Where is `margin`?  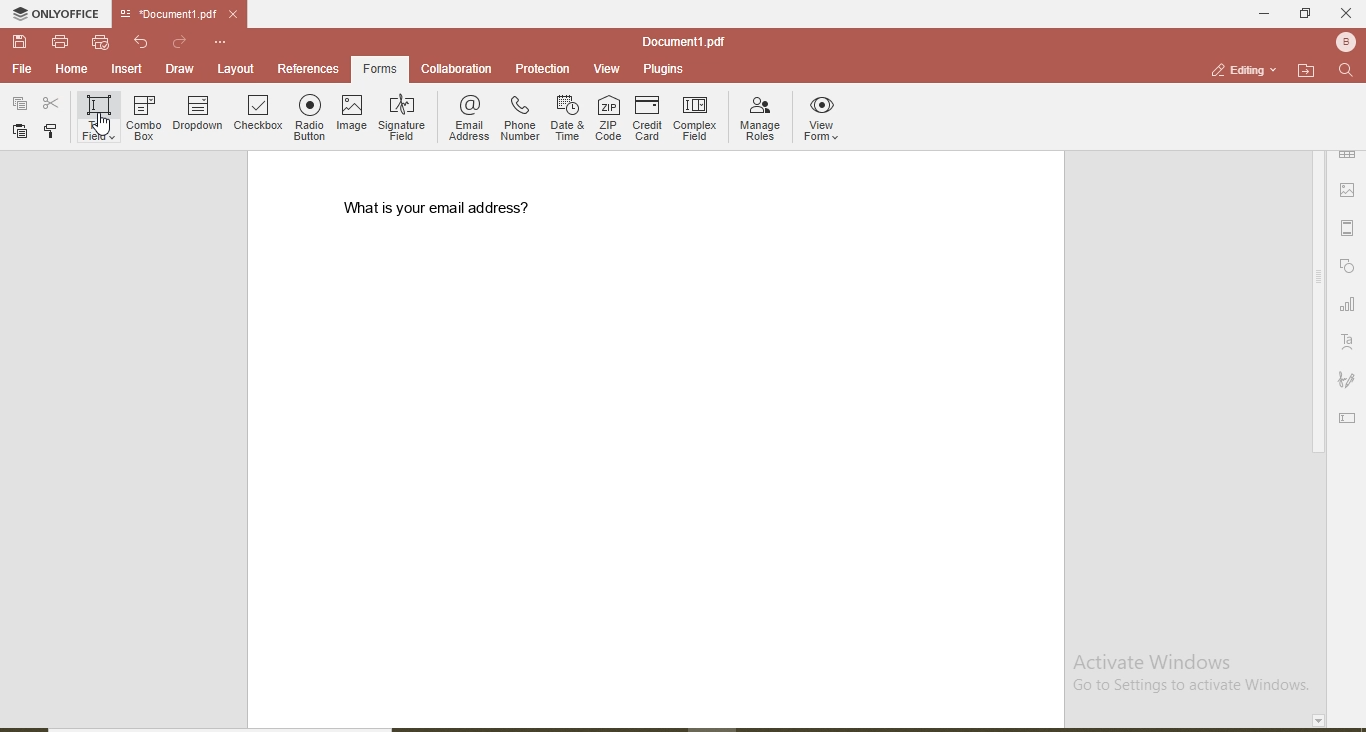 margin is located at coordinates (1347, 228).